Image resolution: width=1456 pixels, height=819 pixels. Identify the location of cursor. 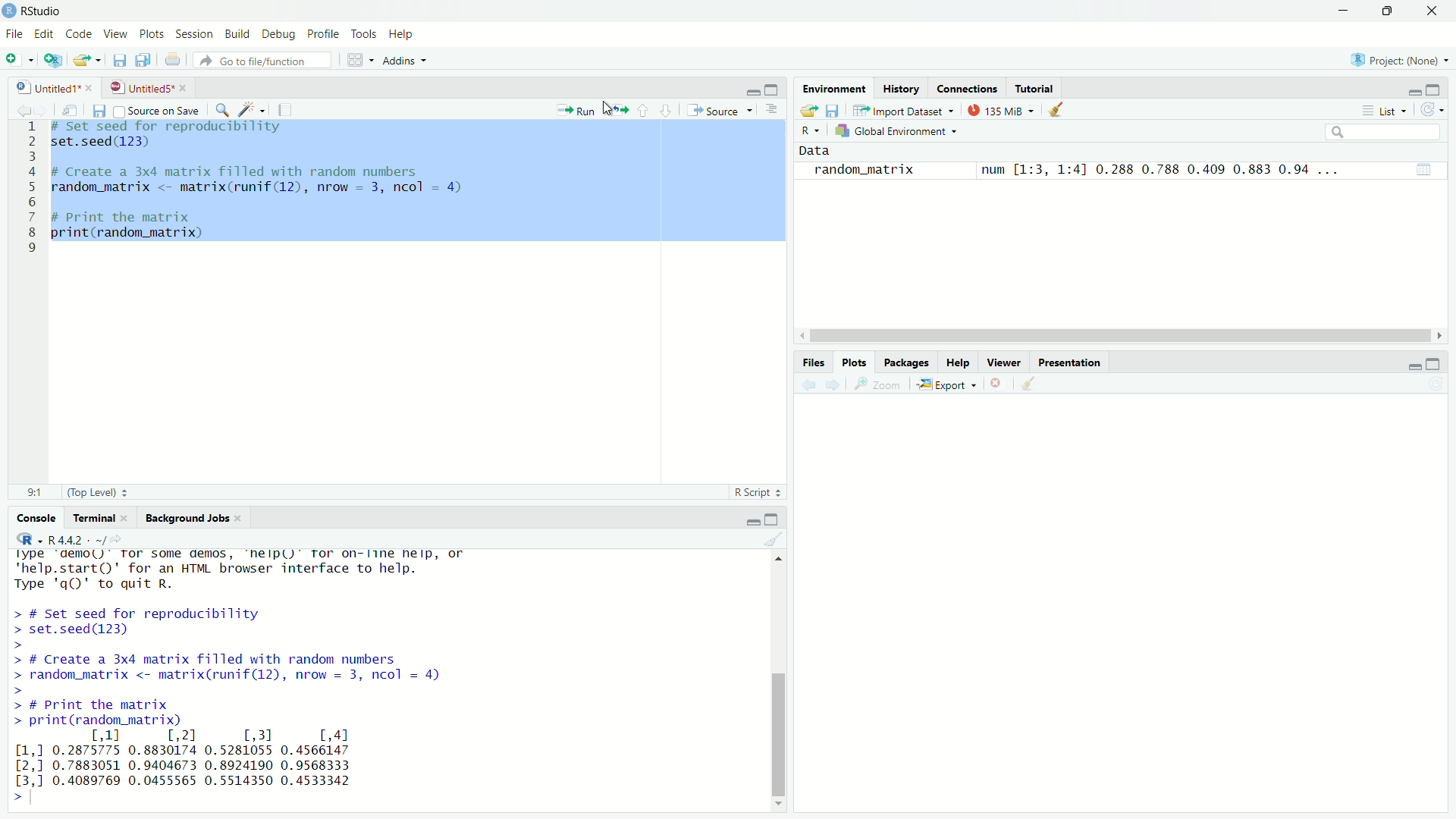
(607, 111).